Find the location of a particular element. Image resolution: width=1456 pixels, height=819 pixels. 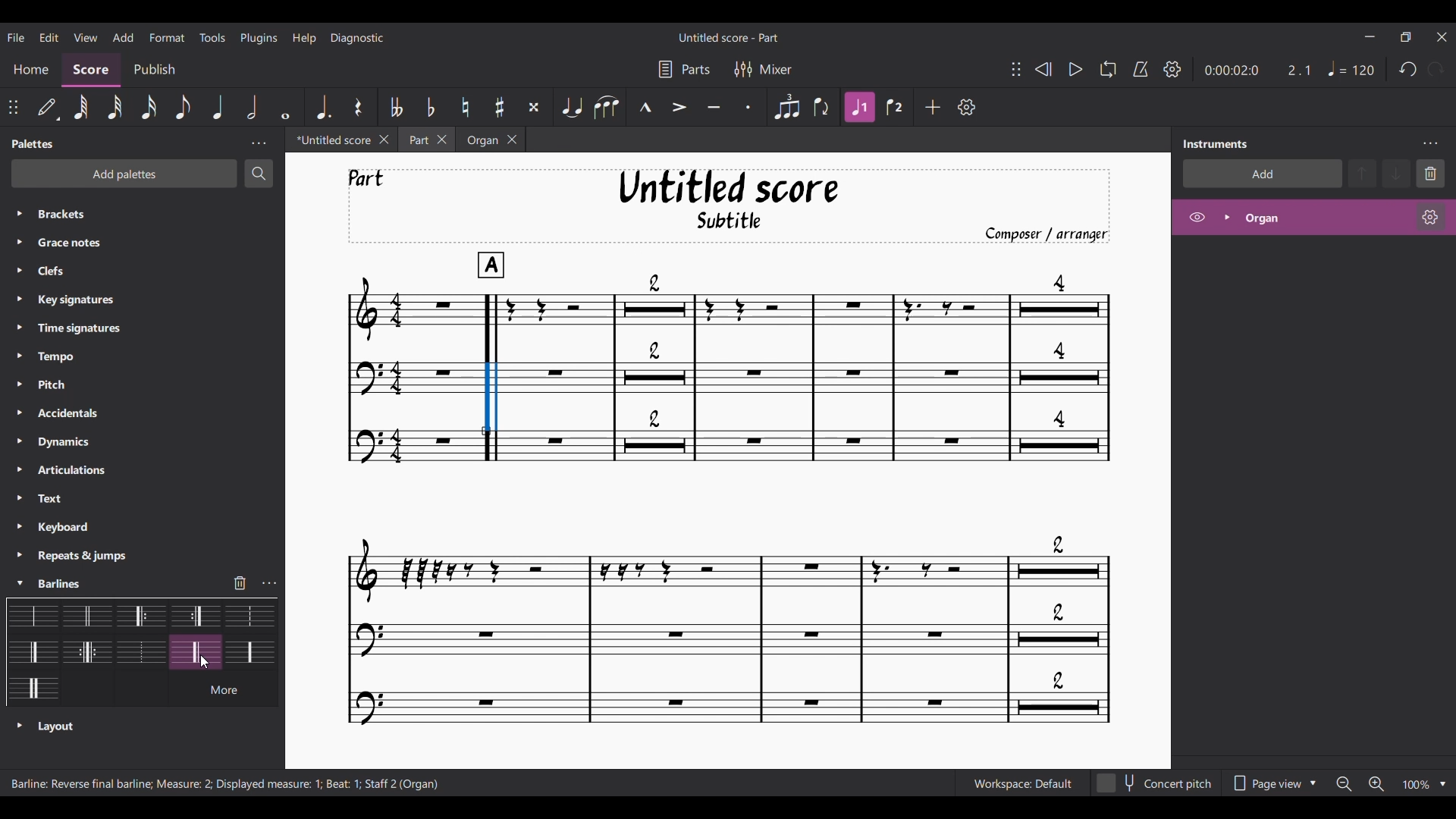

Rest is located at coordinates (358, 107).